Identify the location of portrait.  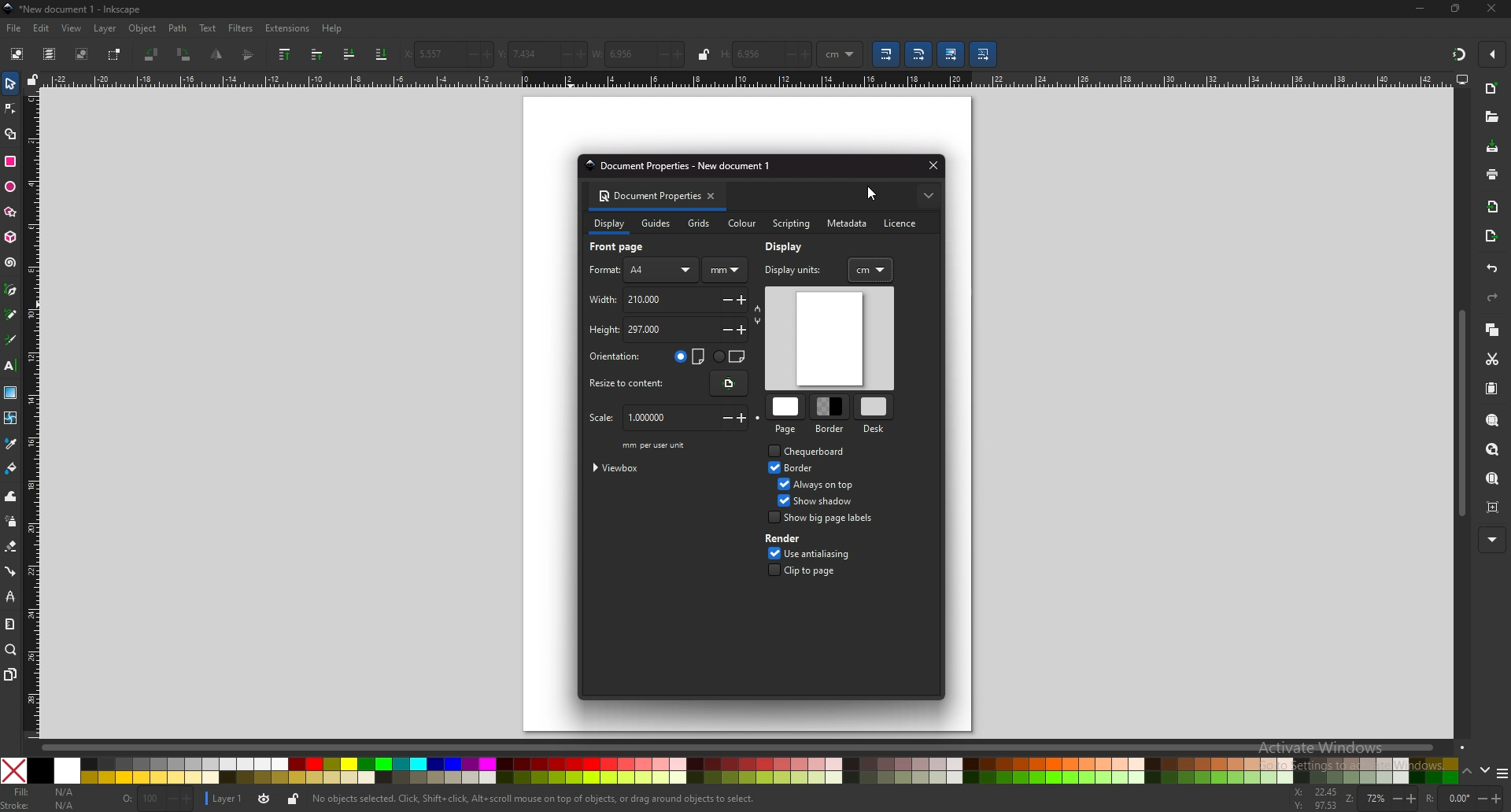
(690, 356).